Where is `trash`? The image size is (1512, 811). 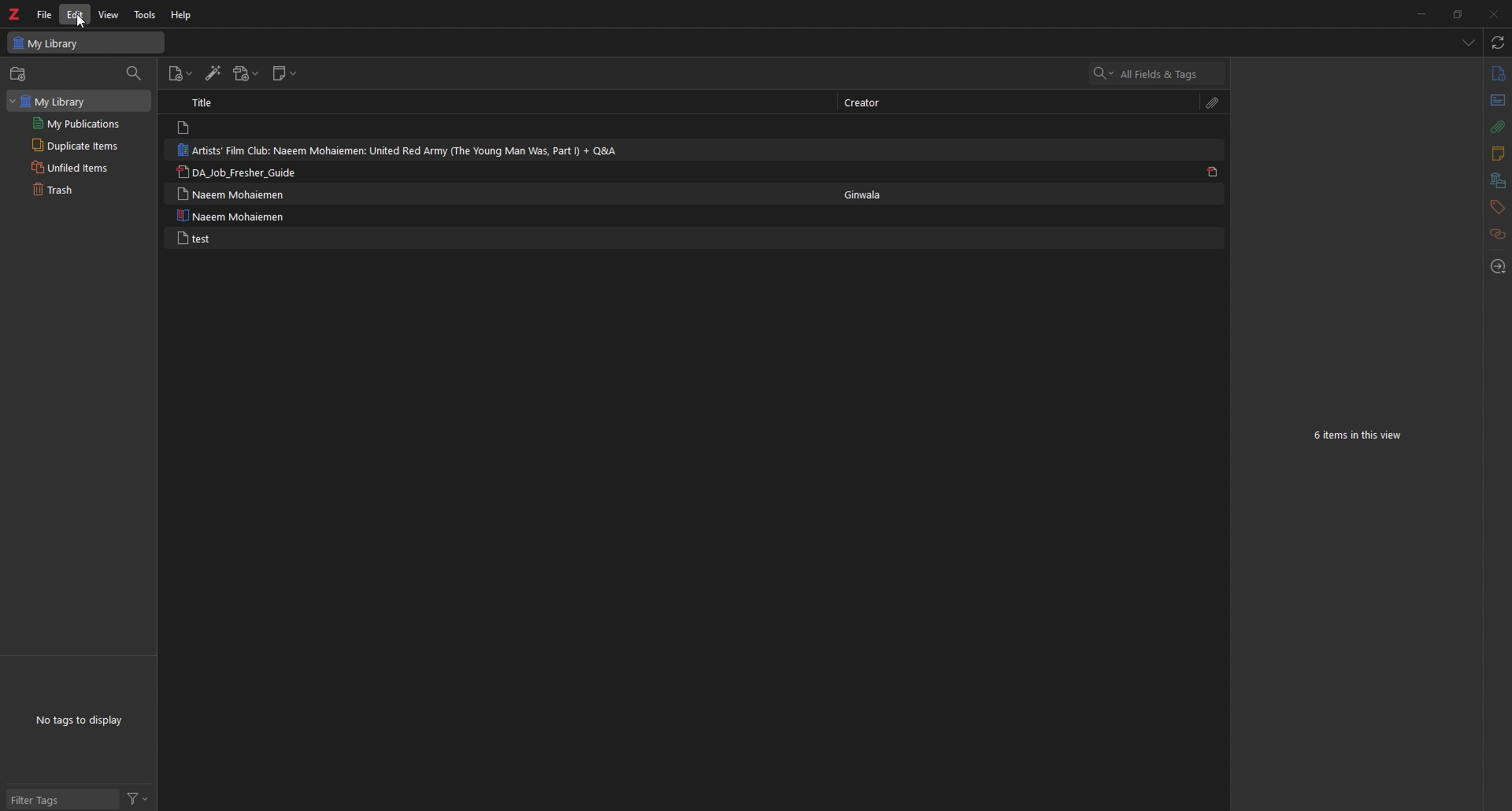
trash is located at coordinates (78, 191).